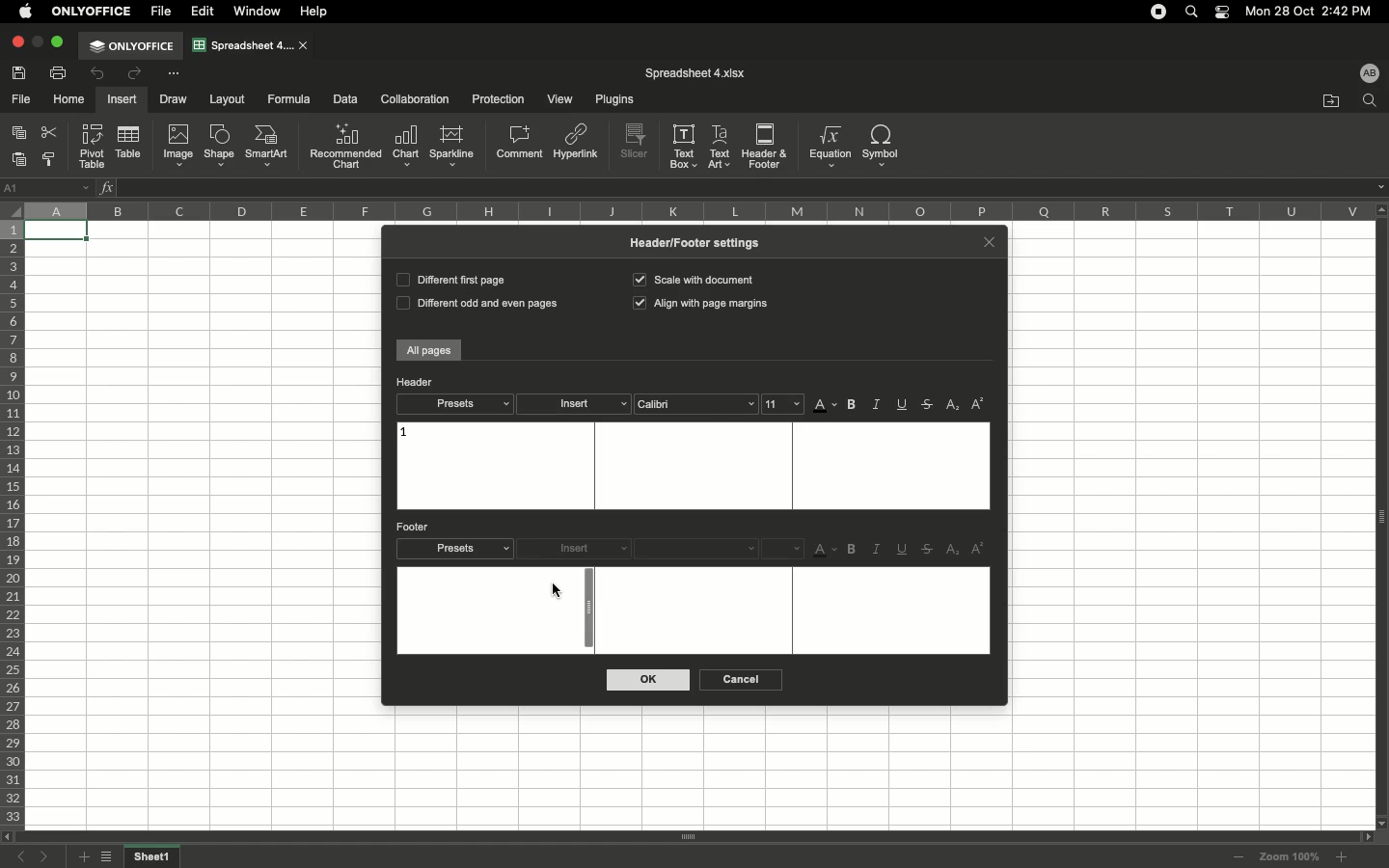  I want to click on Open file location, so click(1331, 101).